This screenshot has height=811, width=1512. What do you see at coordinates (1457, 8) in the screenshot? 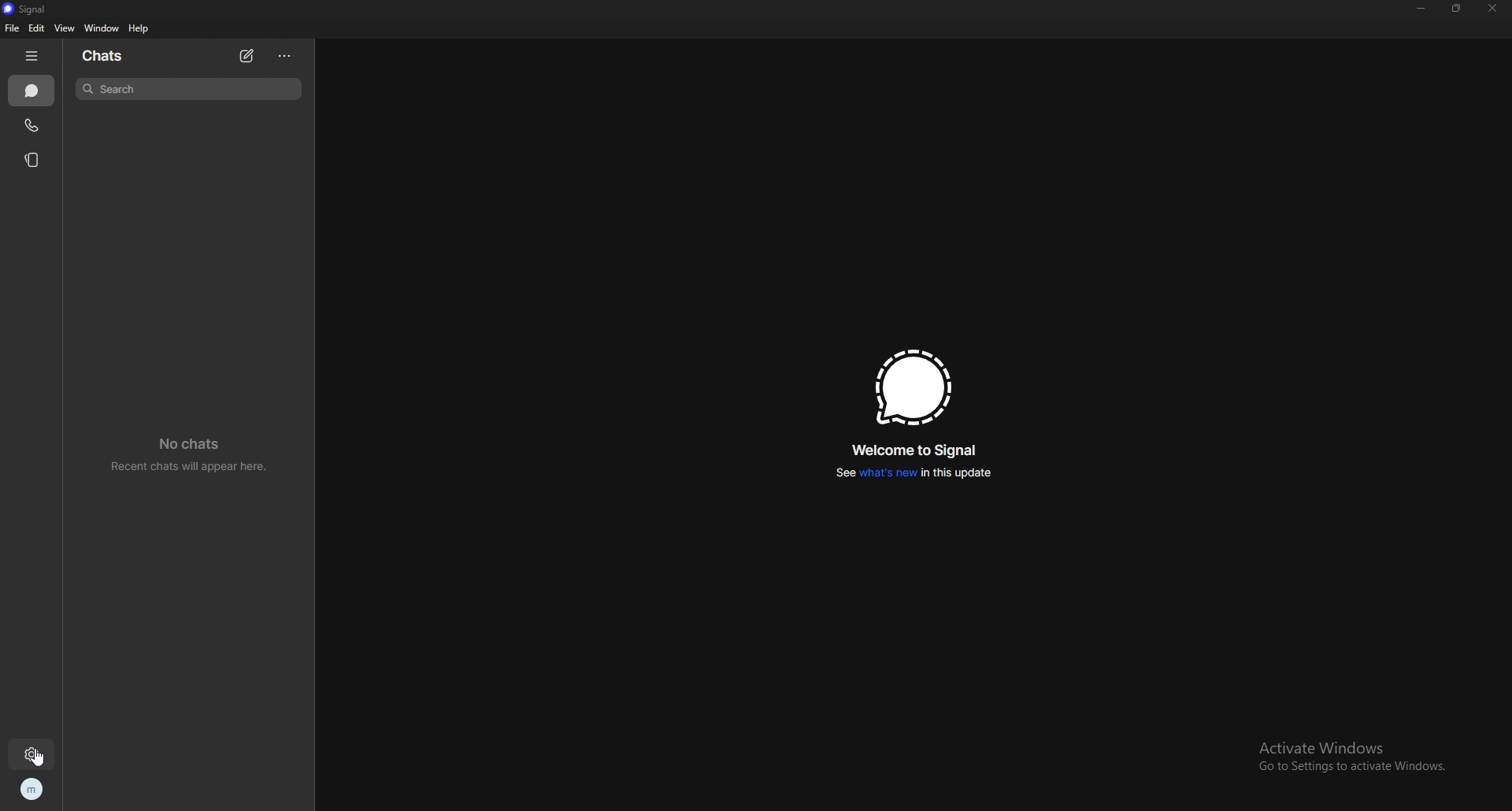
I see `resize` at bounding box center [1457, 8].